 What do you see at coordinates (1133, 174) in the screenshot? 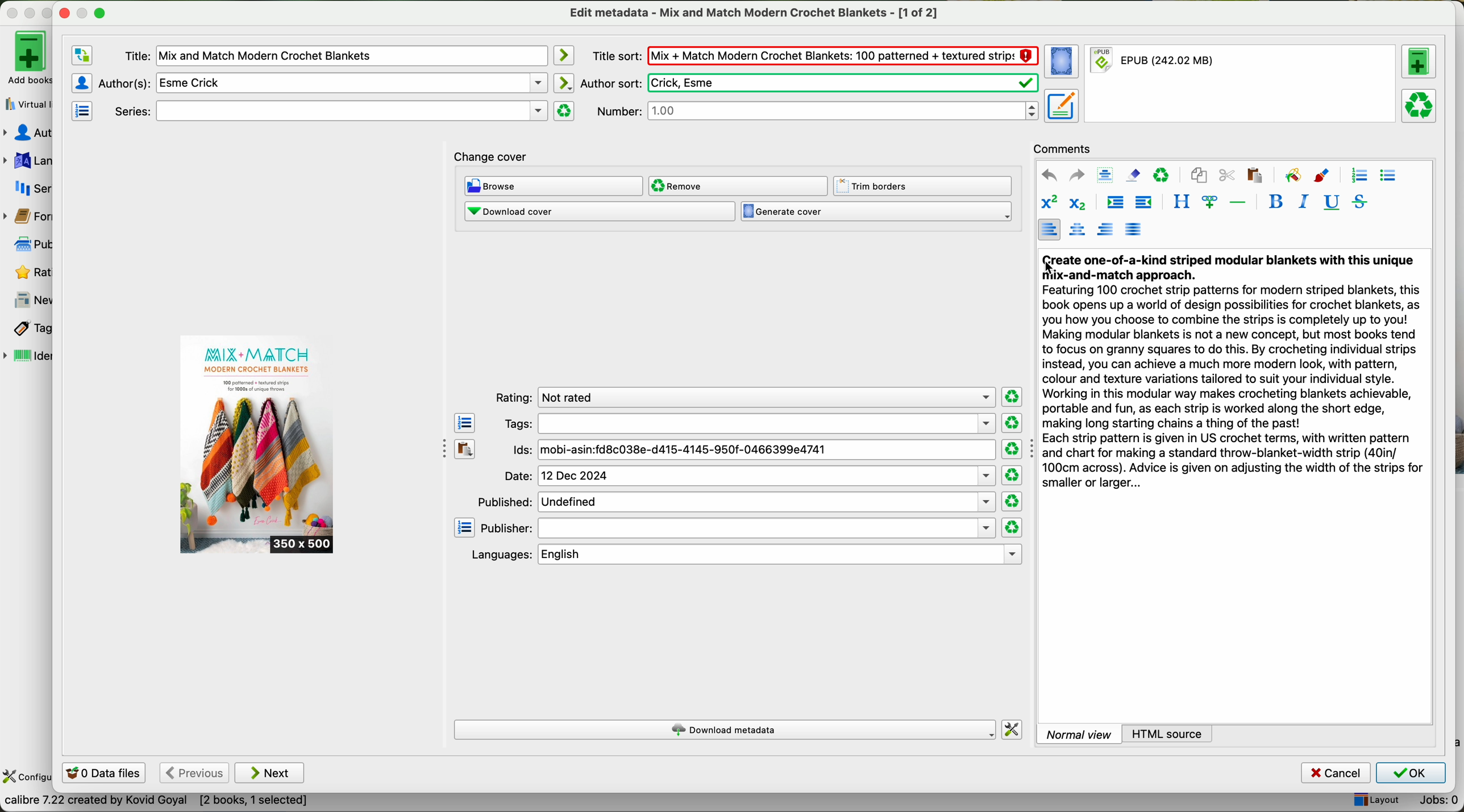
I see `remove formatting` at bounding box center [1133, 174].